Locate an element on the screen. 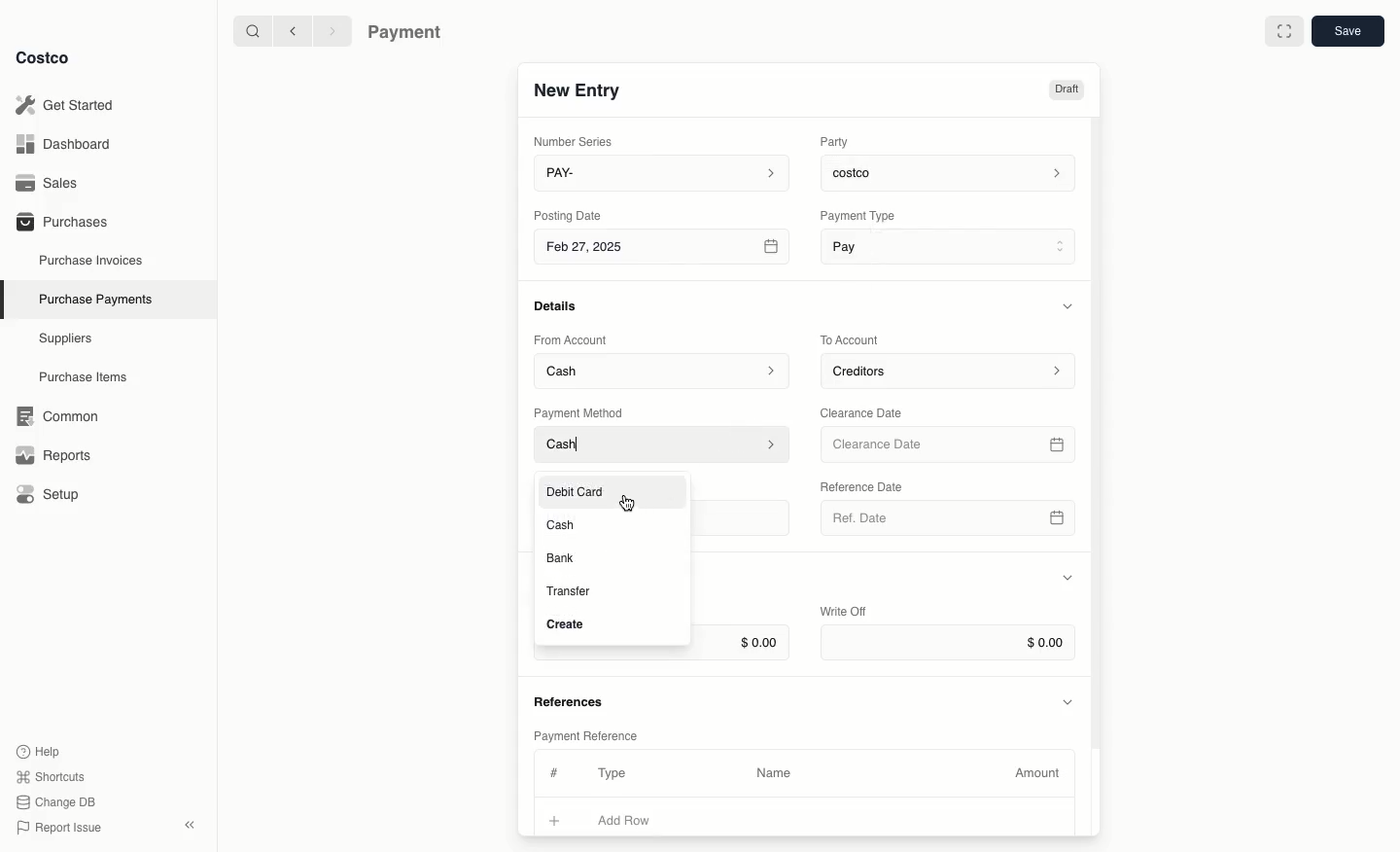 The image size is (1400, 852). Bank is located at coordinates (561, 557).